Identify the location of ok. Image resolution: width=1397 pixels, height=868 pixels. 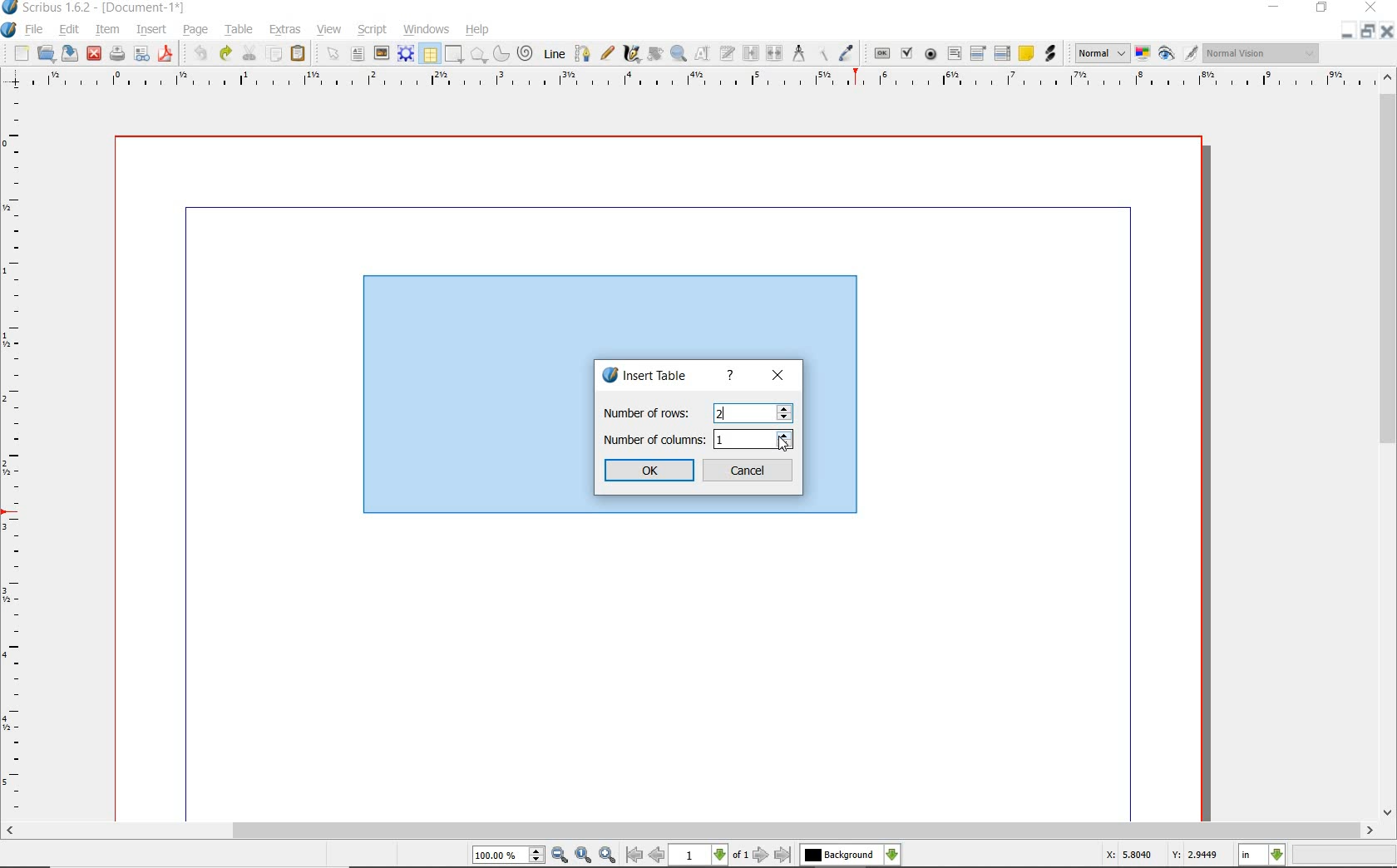
(650, 471).